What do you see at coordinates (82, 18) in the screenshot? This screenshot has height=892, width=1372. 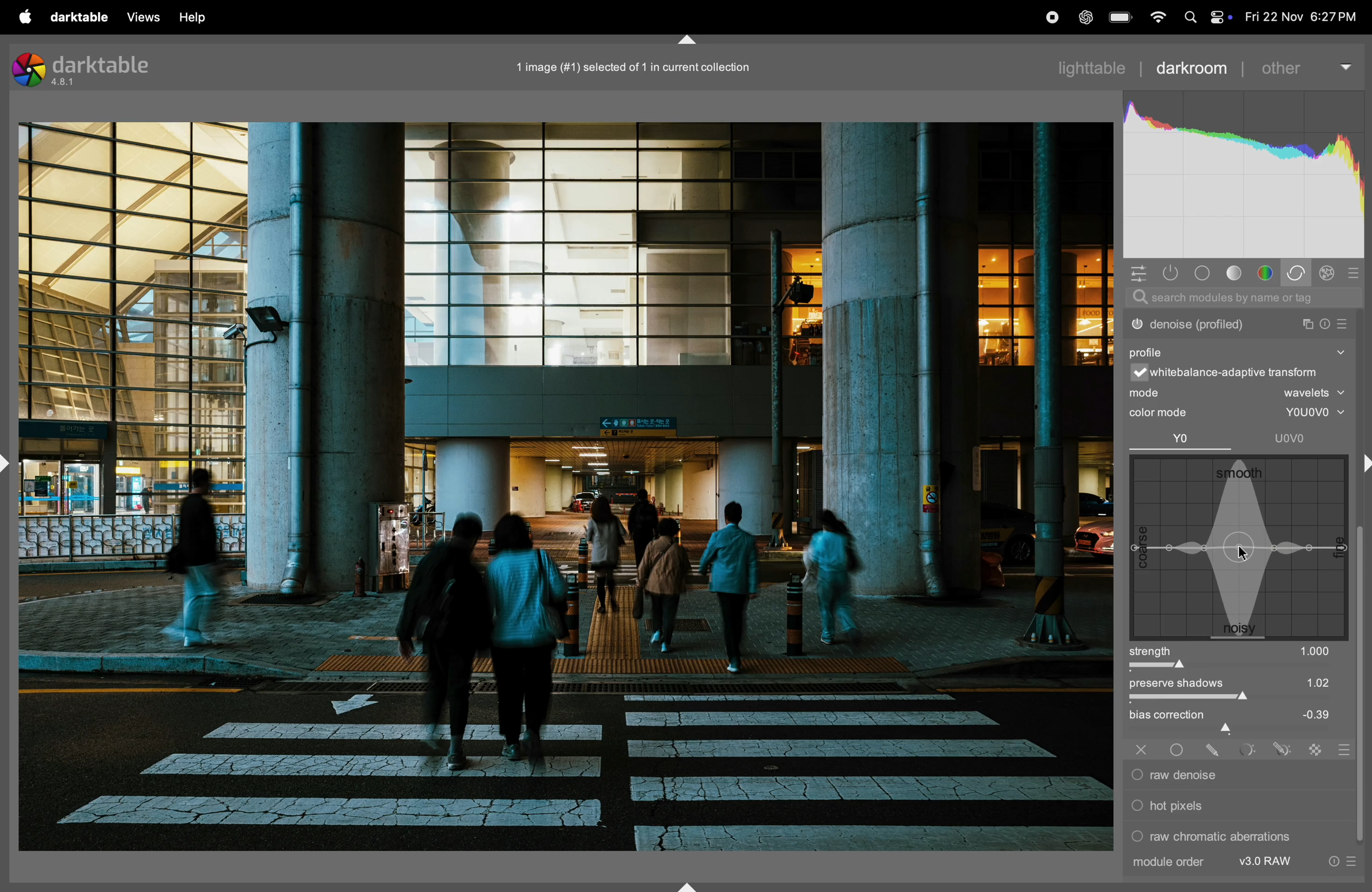 I see `darktable` at bounding box center [82, 18].